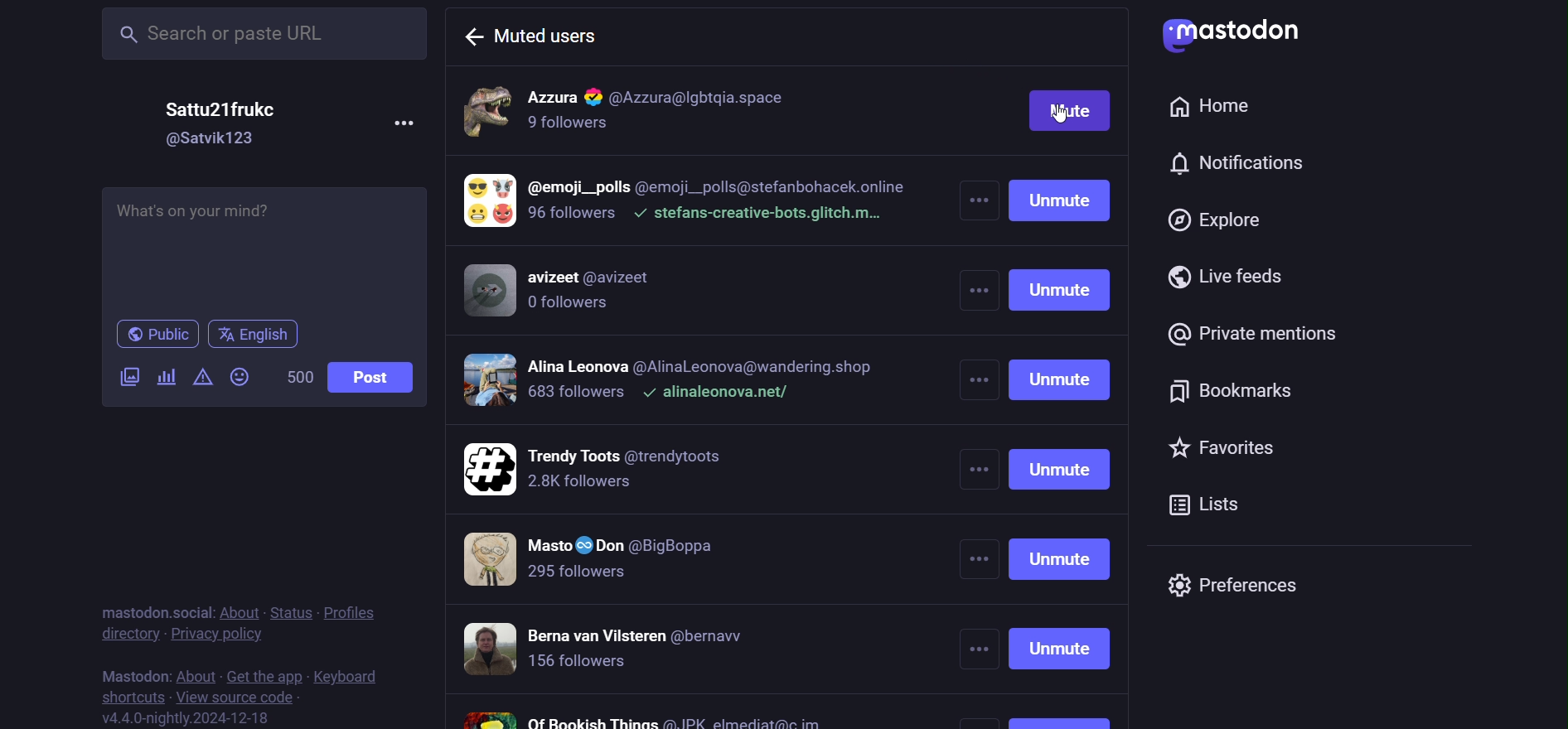  Describe the element at coordinates (217, 633) in the screenshot. I see `privacy policy` at that location.